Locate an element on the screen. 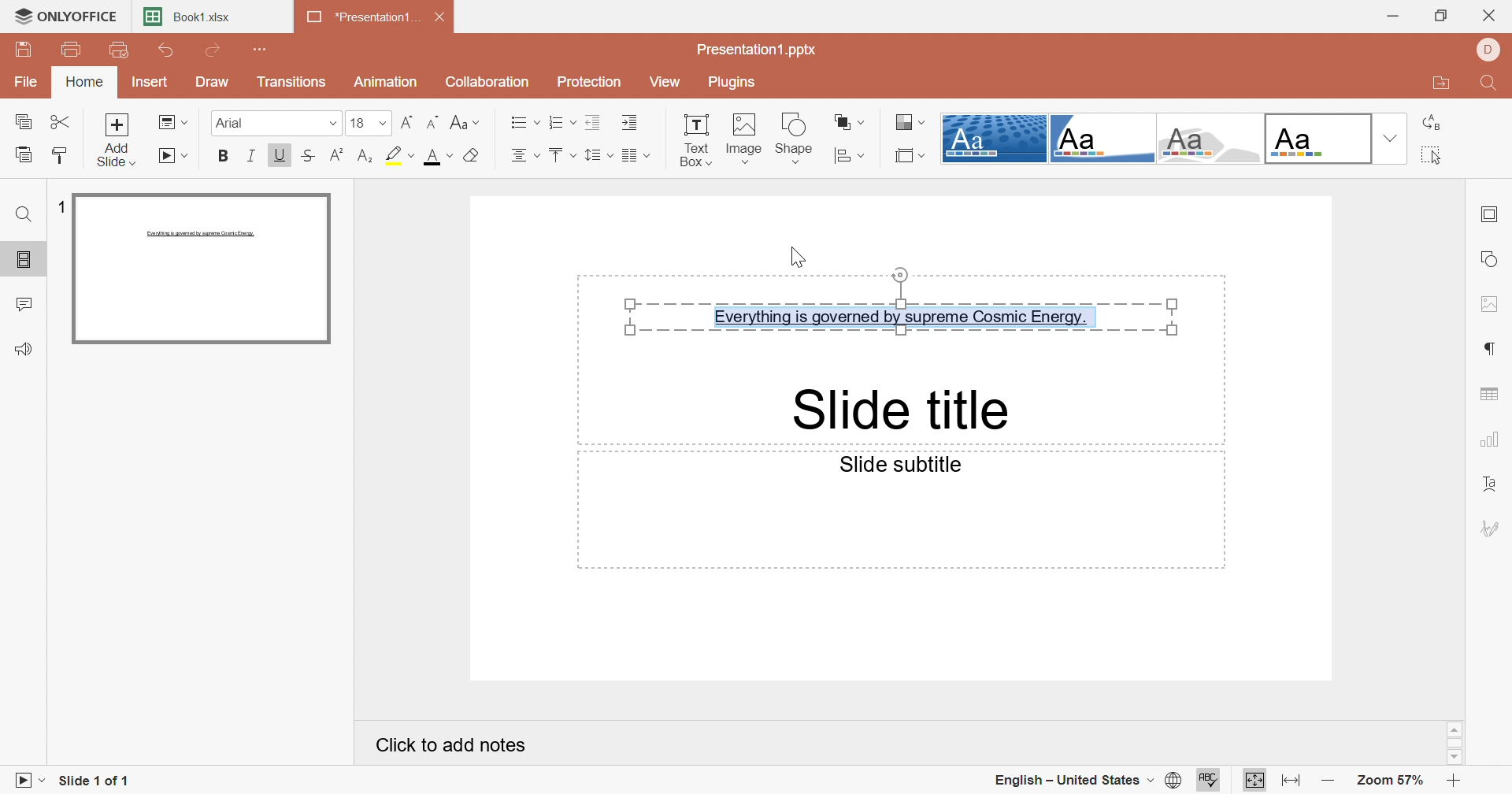 The width and height of the screenshot is (1512, 794). Line spacing is located at coordinates (600, 154).